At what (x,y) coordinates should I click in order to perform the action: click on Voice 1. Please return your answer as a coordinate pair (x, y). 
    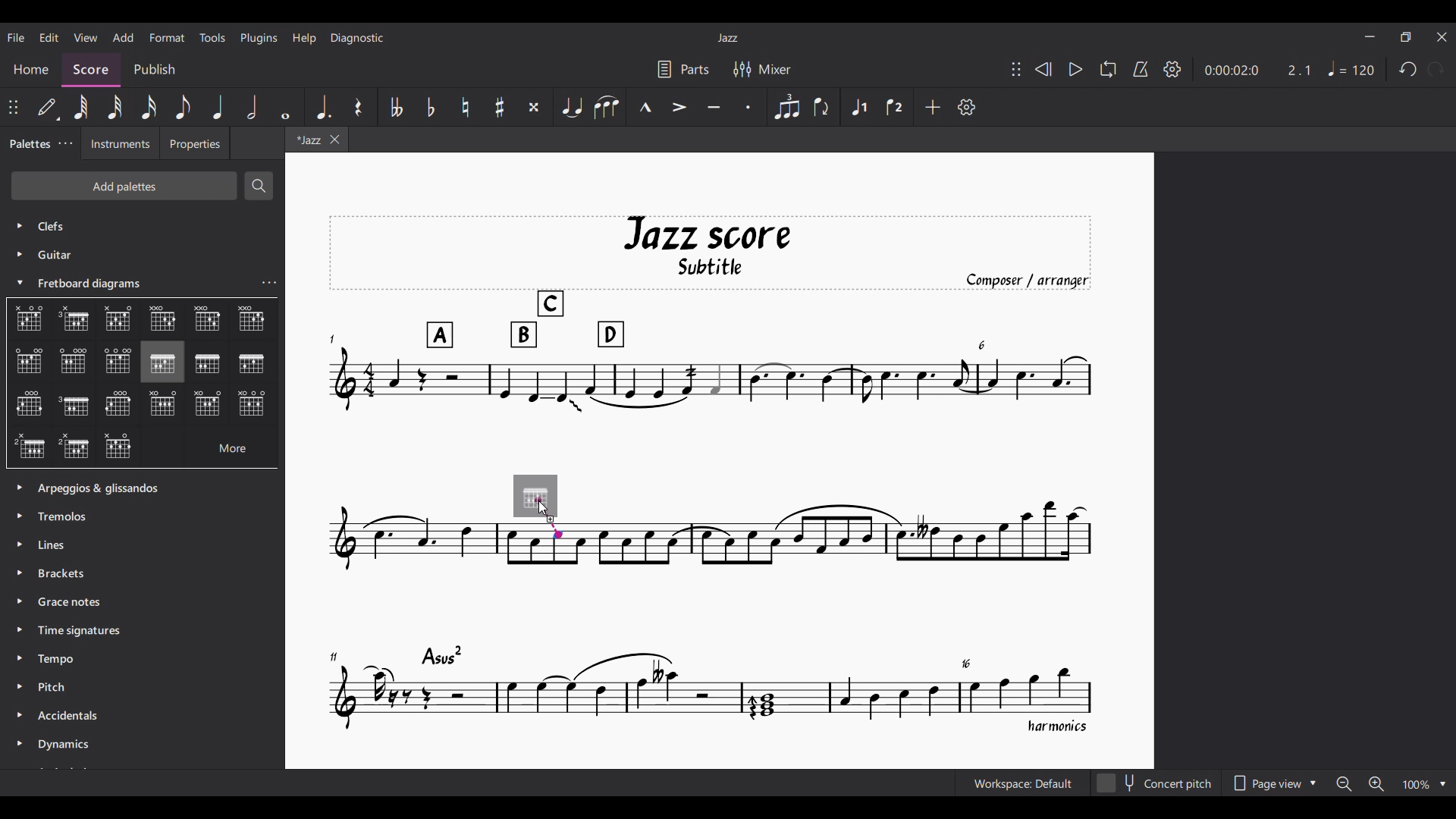
    Looking at the image, I should click on (859, 106).